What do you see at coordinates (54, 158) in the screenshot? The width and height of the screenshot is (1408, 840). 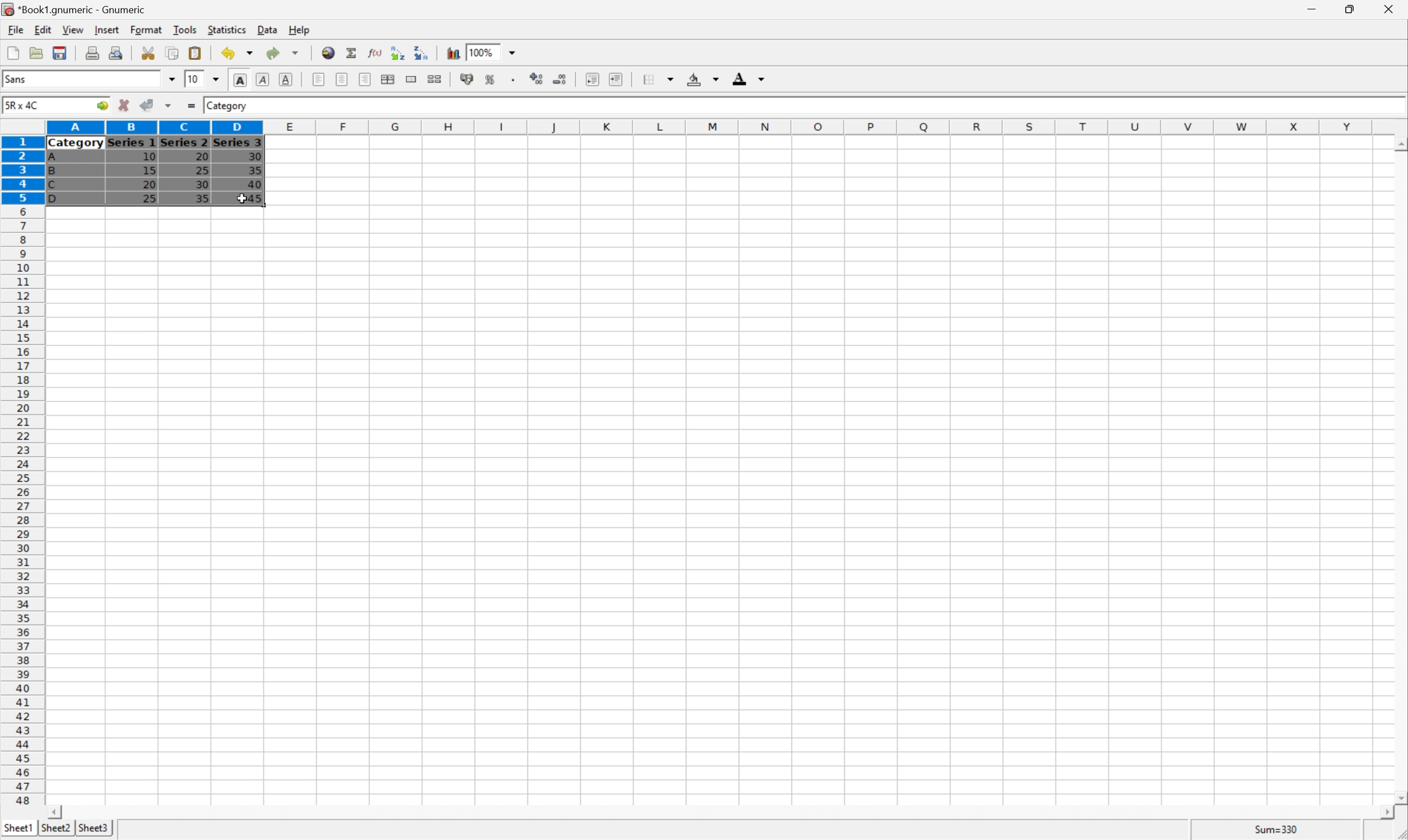 I see `A` at bounding box center [54, 158].